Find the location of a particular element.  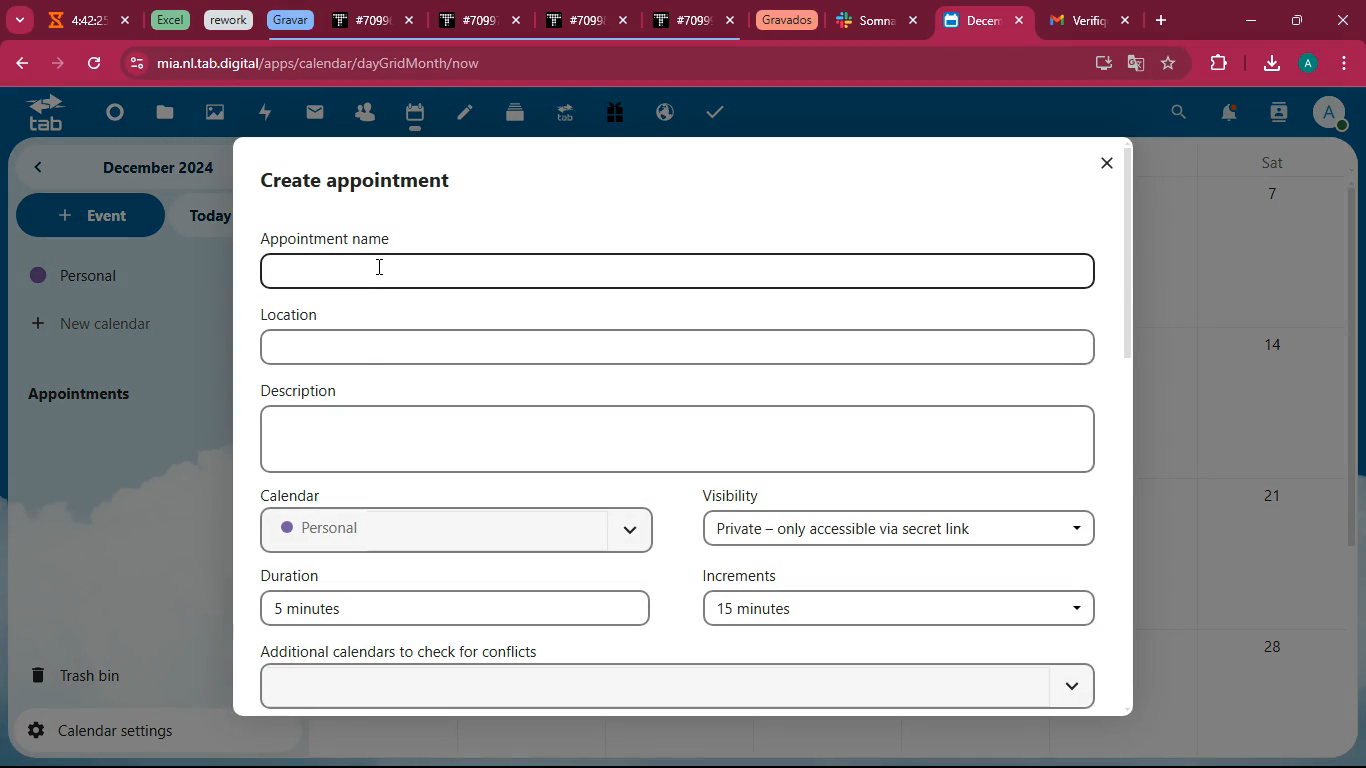

tab is located at coordinates (866, 23).